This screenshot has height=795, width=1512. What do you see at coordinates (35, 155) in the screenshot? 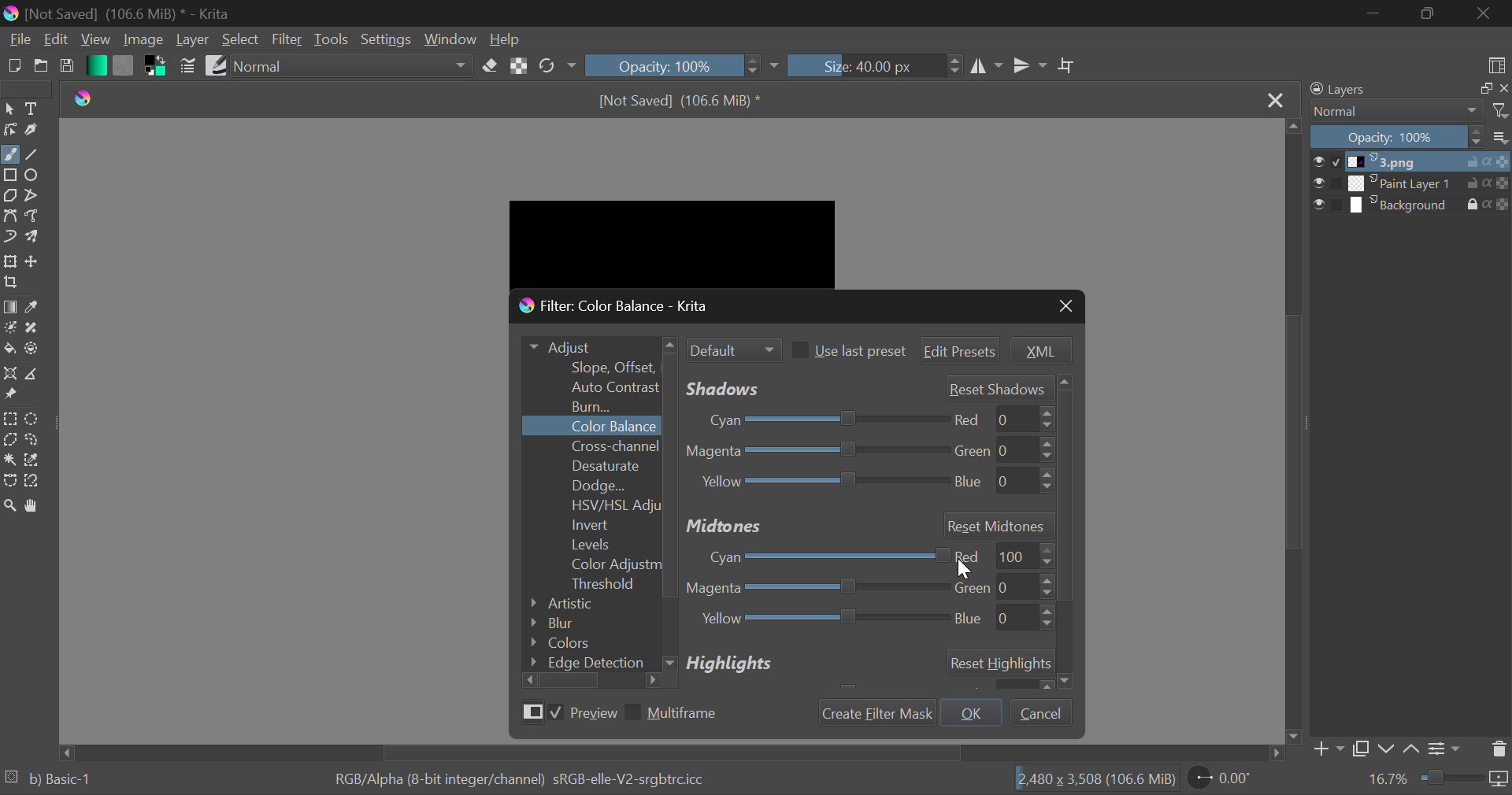
I see `Line` at bounding box center [35, 155].